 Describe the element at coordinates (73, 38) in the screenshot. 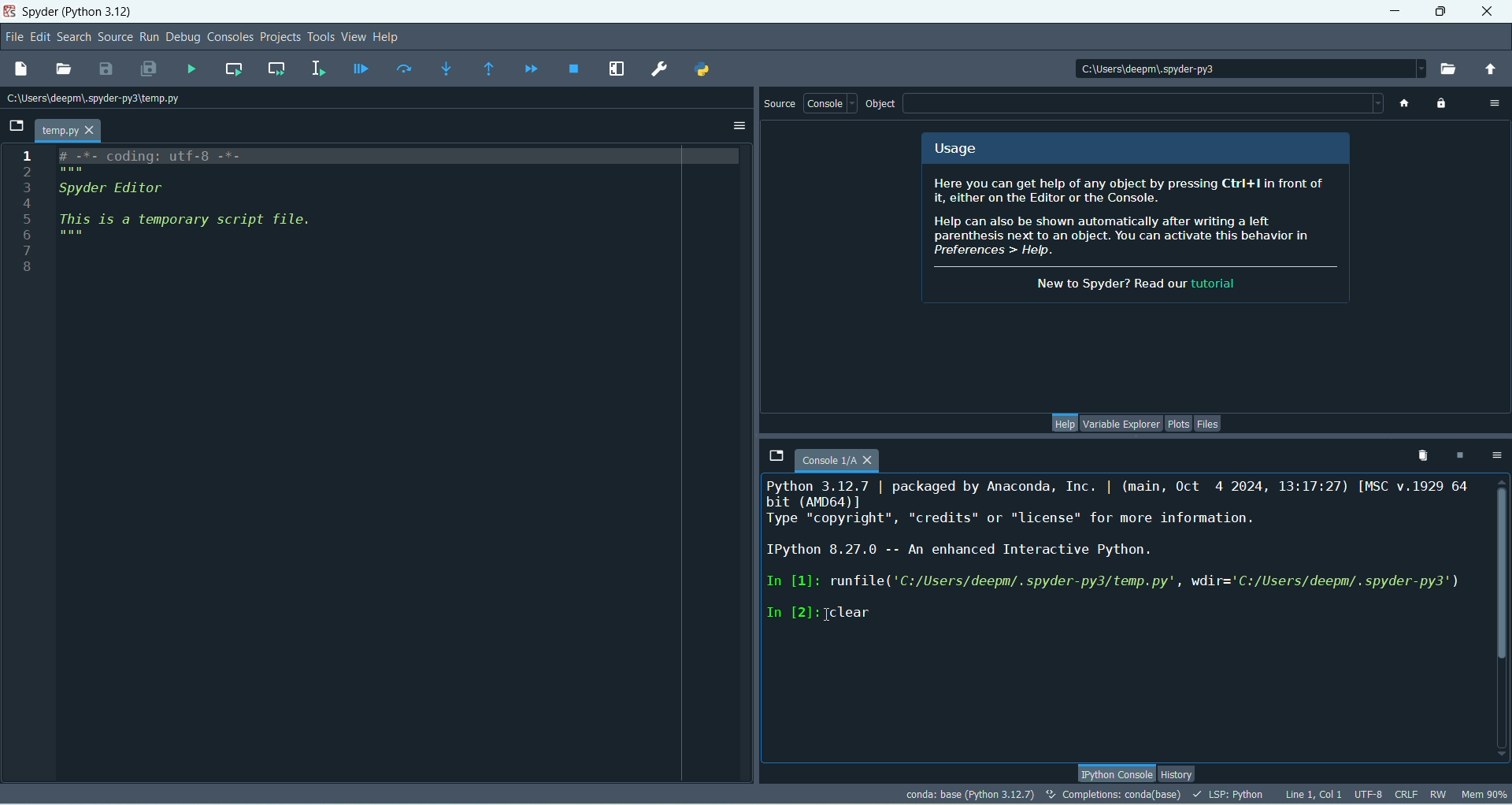

I see `search` at that location.